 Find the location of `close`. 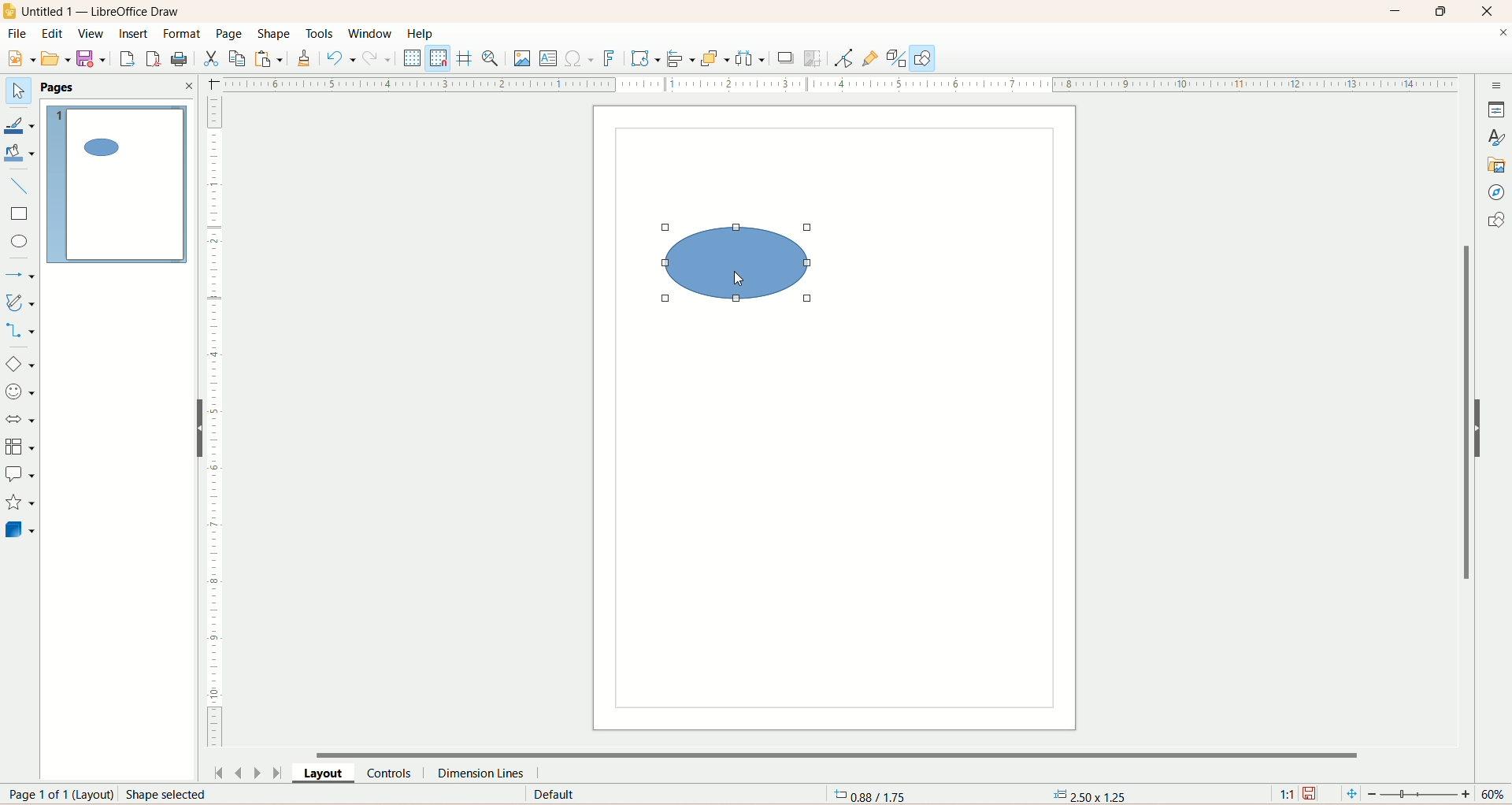

close is located at coordinates (188, 87).